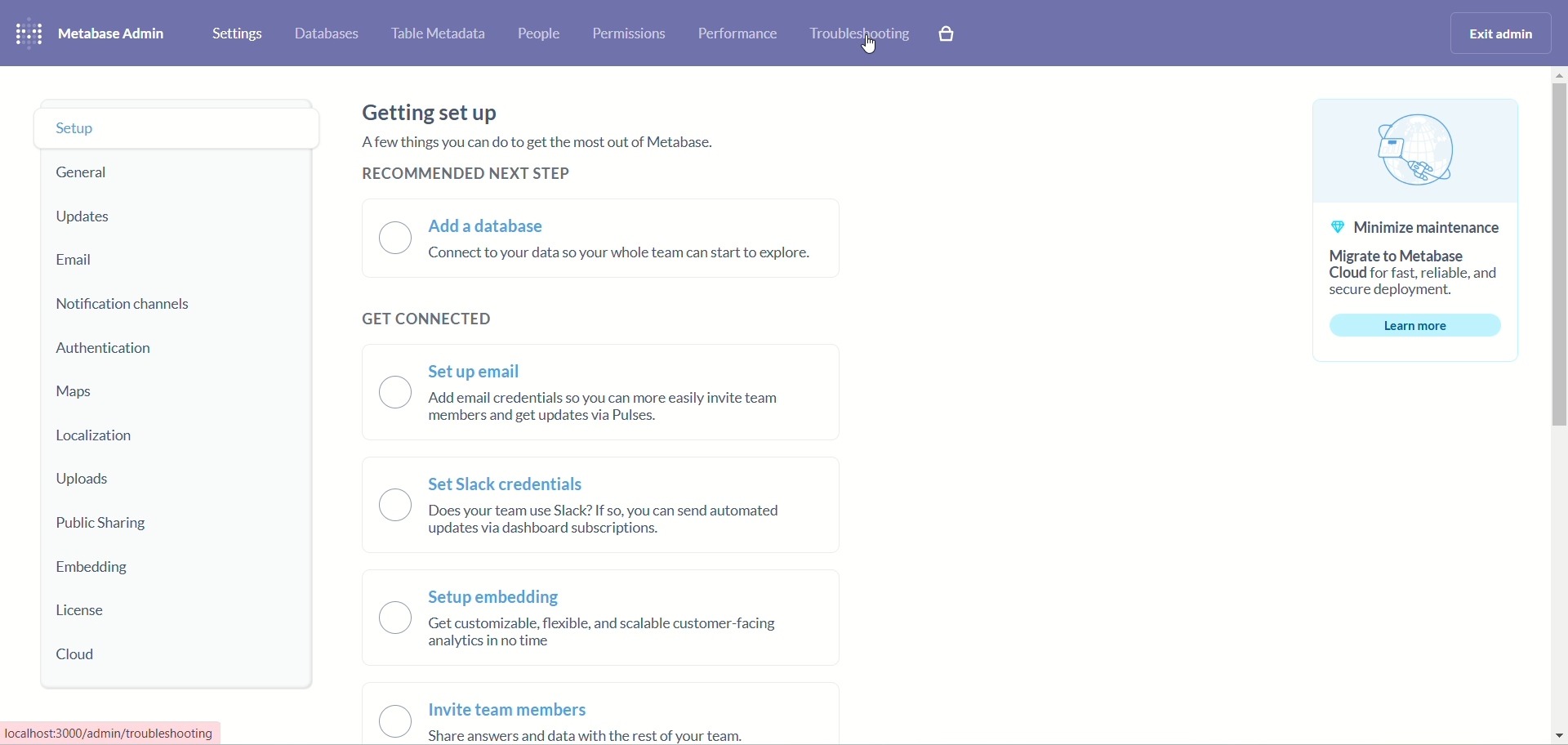 The width and height of the screenshot is (1568, 745). I want to click on add a database, so click(628, 240).